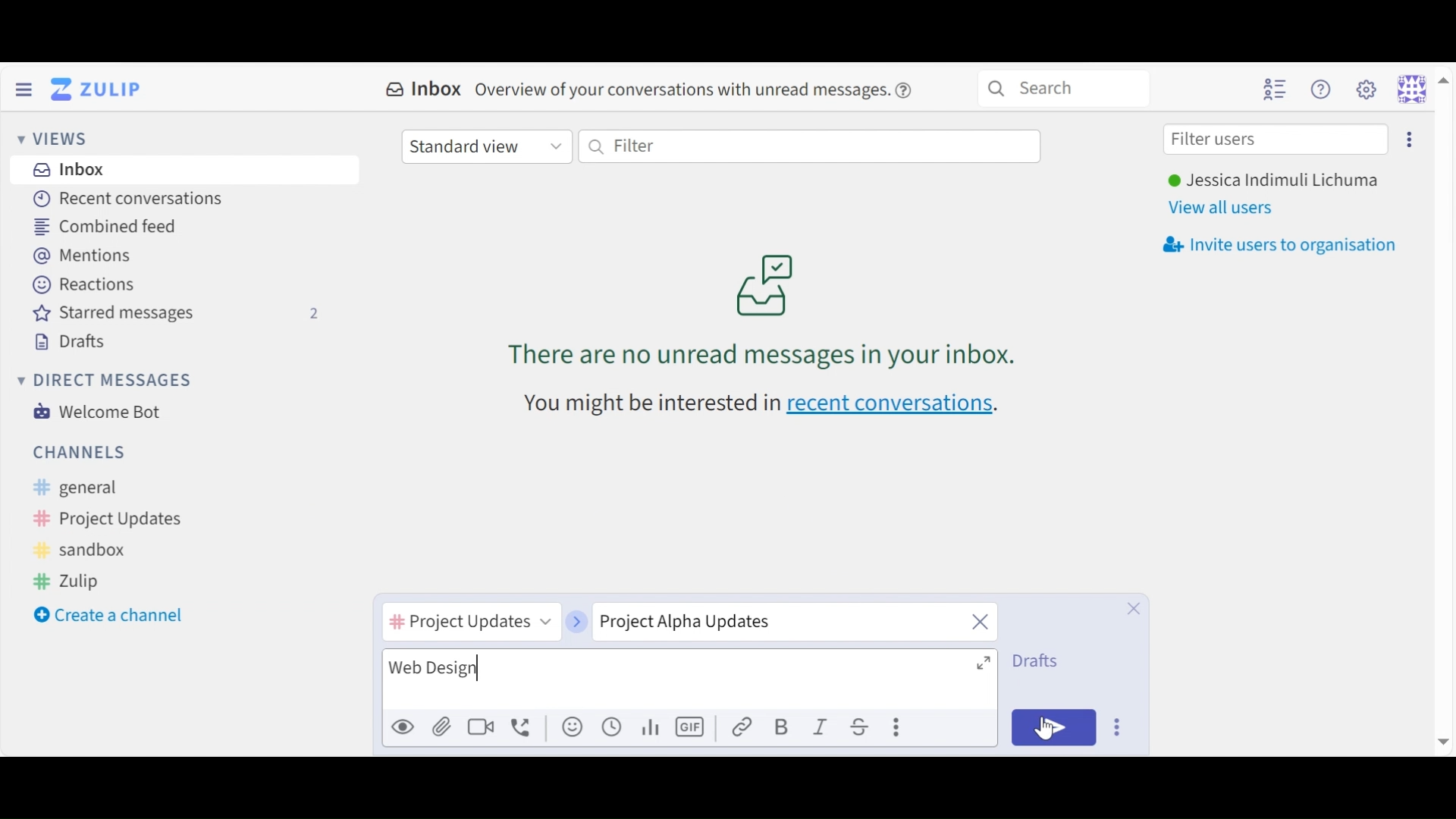 The image size is (1456, 819). I want to click on Upload File, so click(440, 726).